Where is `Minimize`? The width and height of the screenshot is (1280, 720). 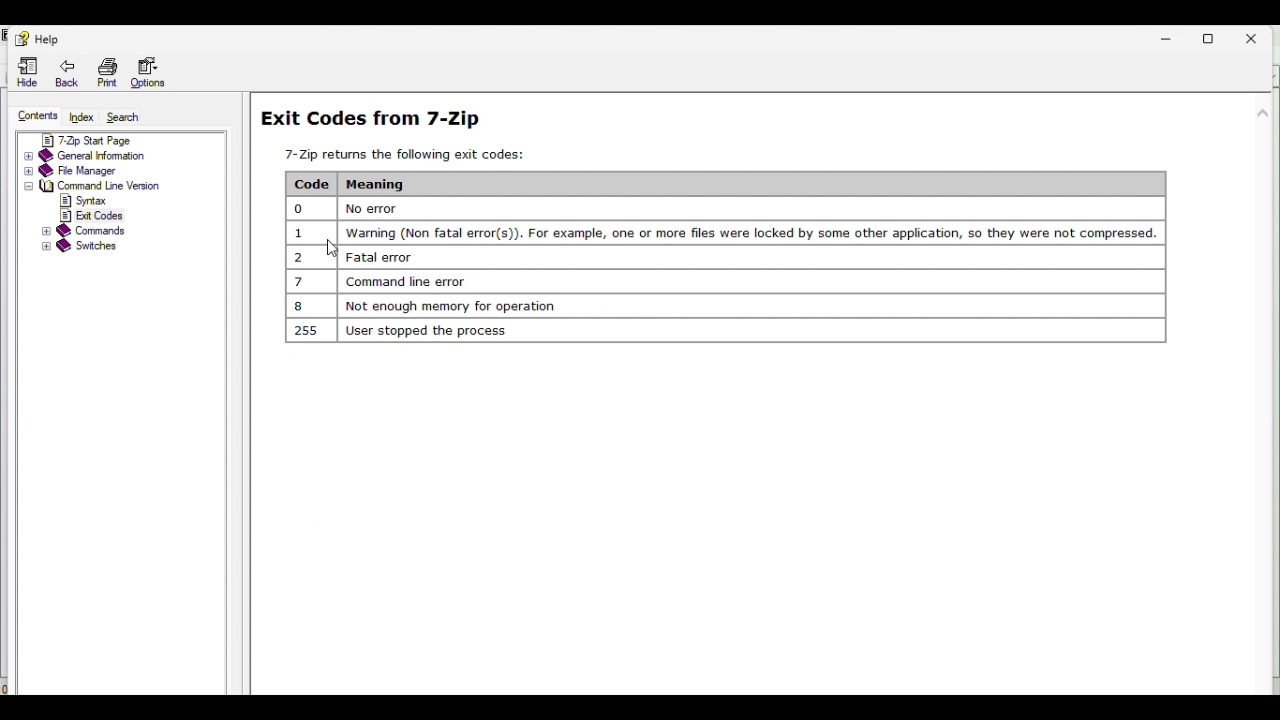 Minimize is located at coordinates (1176, 35).